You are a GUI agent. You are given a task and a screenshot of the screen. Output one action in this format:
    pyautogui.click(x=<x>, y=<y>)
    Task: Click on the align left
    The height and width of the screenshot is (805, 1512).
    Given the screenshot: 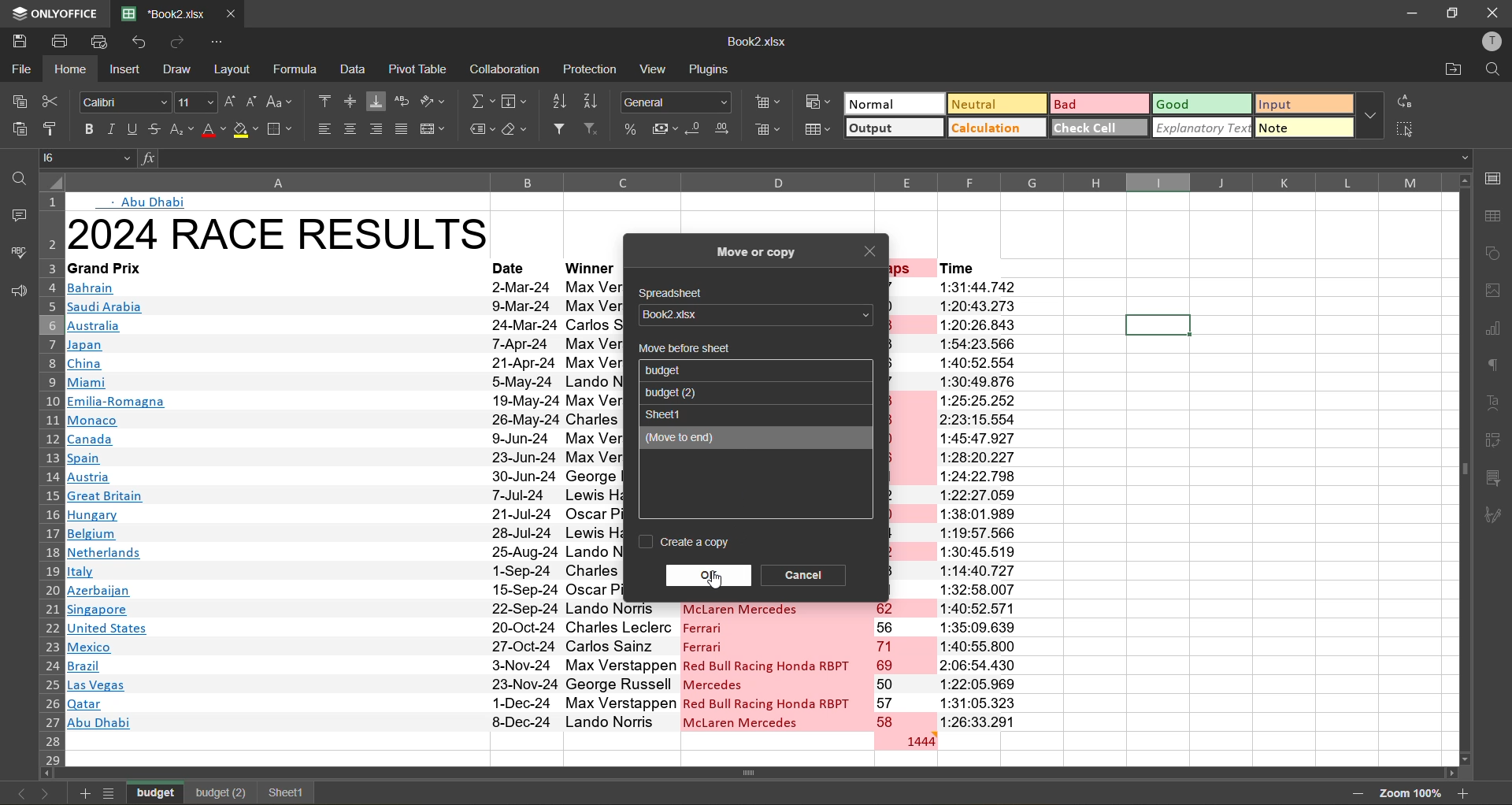 What is the action you would take?
    pyautogui.click(x=326, y=128)
    